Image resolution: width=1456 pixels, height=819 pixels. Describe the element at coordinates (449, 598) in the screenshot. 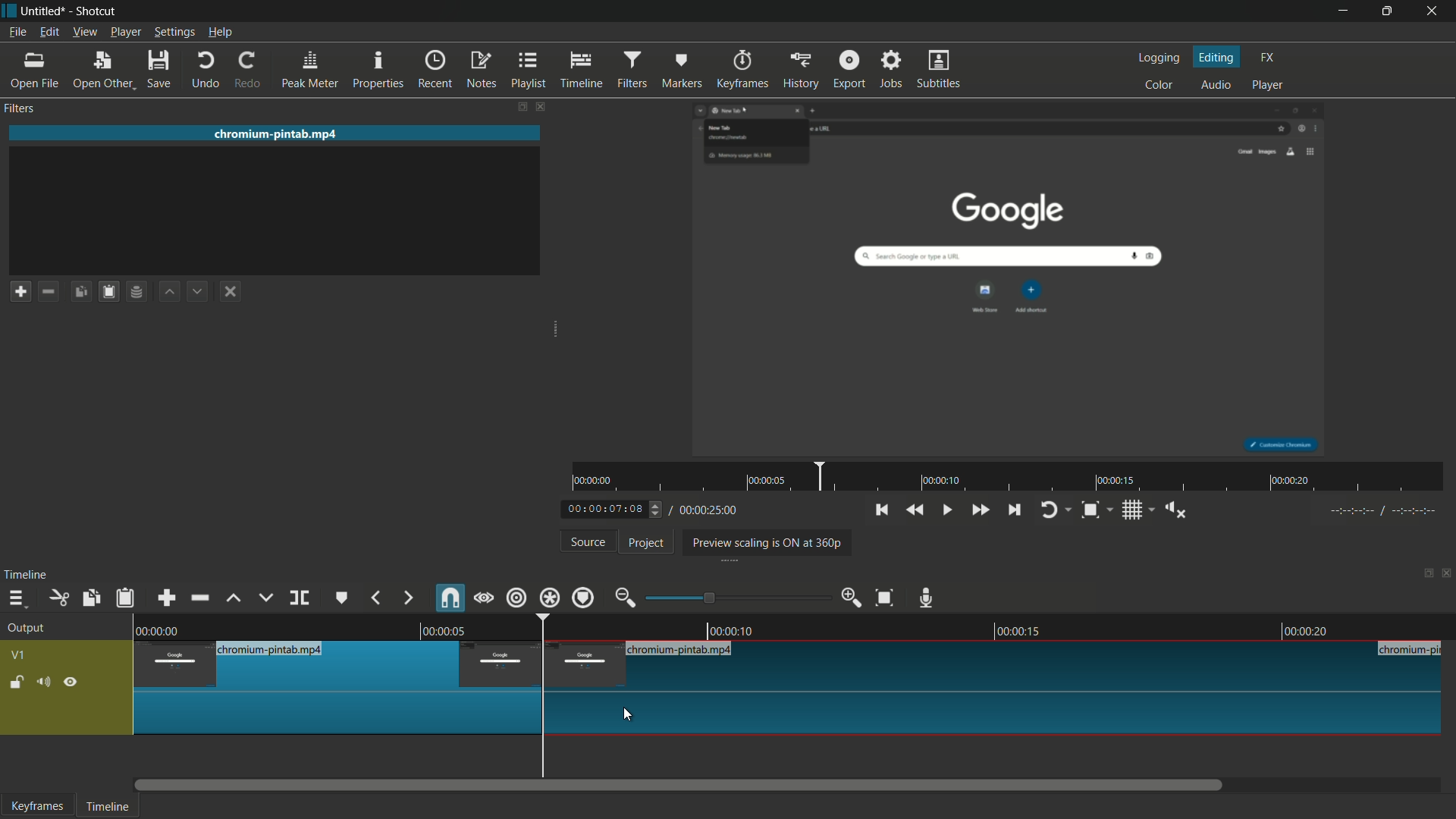

I see `snap` at that location.